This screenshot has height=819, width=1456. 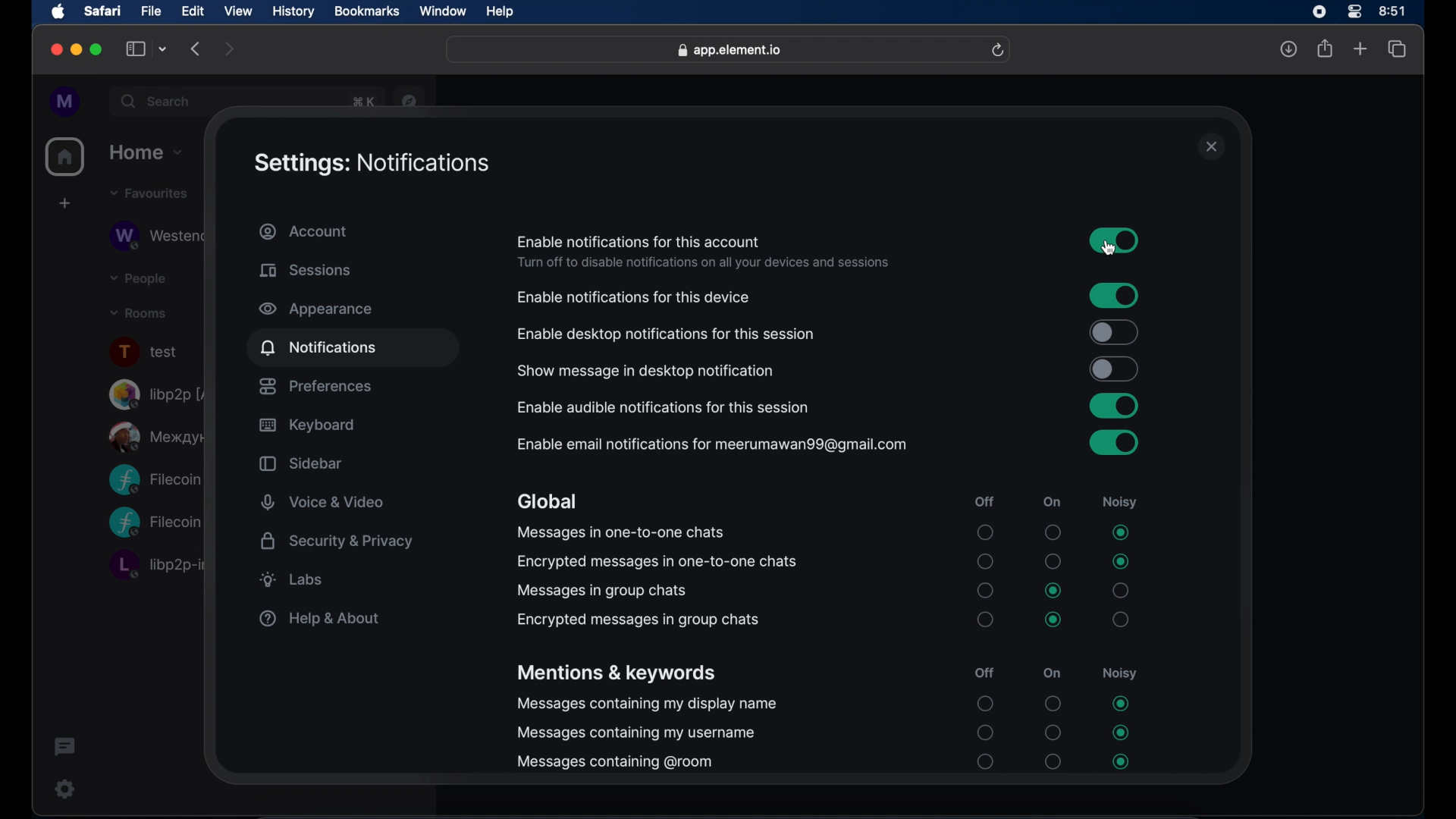 I want to click on window, so click(x=443, y=11).